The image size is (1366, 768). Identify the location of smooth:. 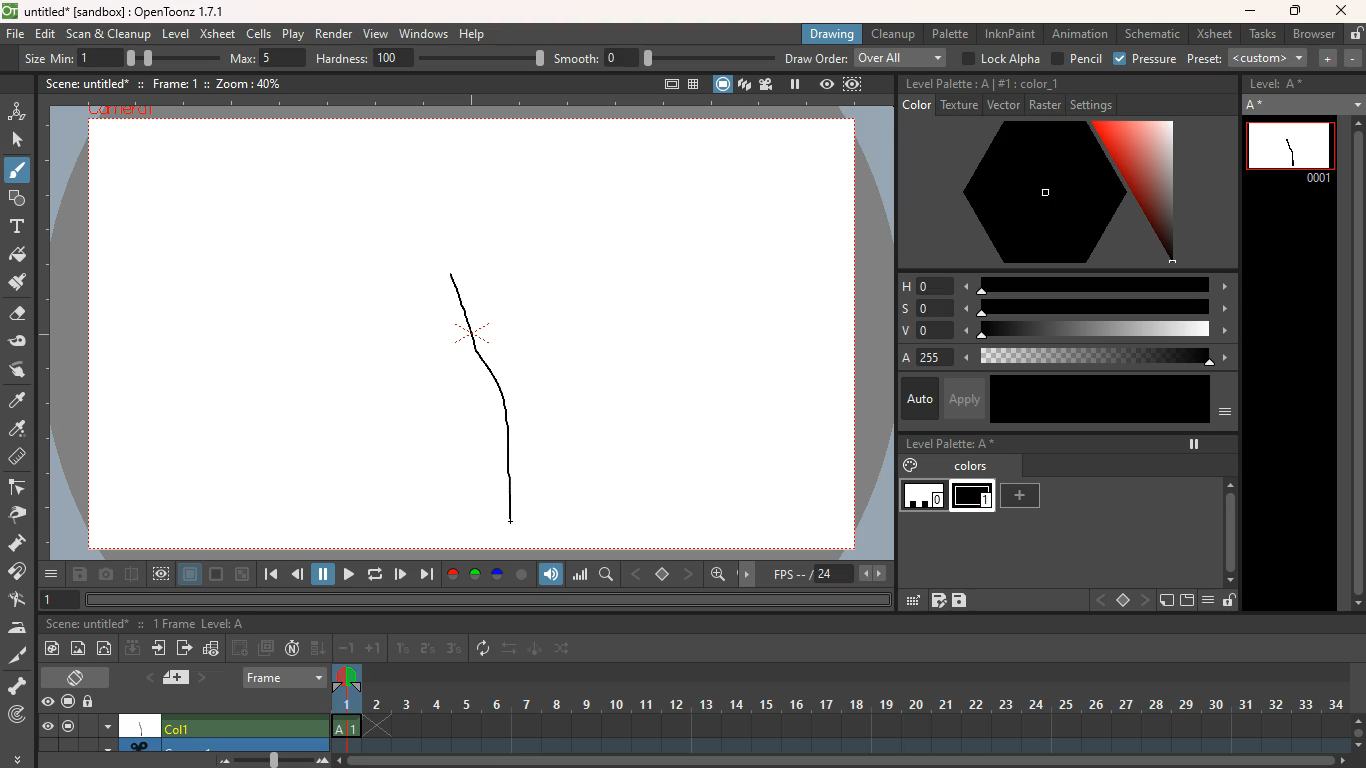
(663, 58).